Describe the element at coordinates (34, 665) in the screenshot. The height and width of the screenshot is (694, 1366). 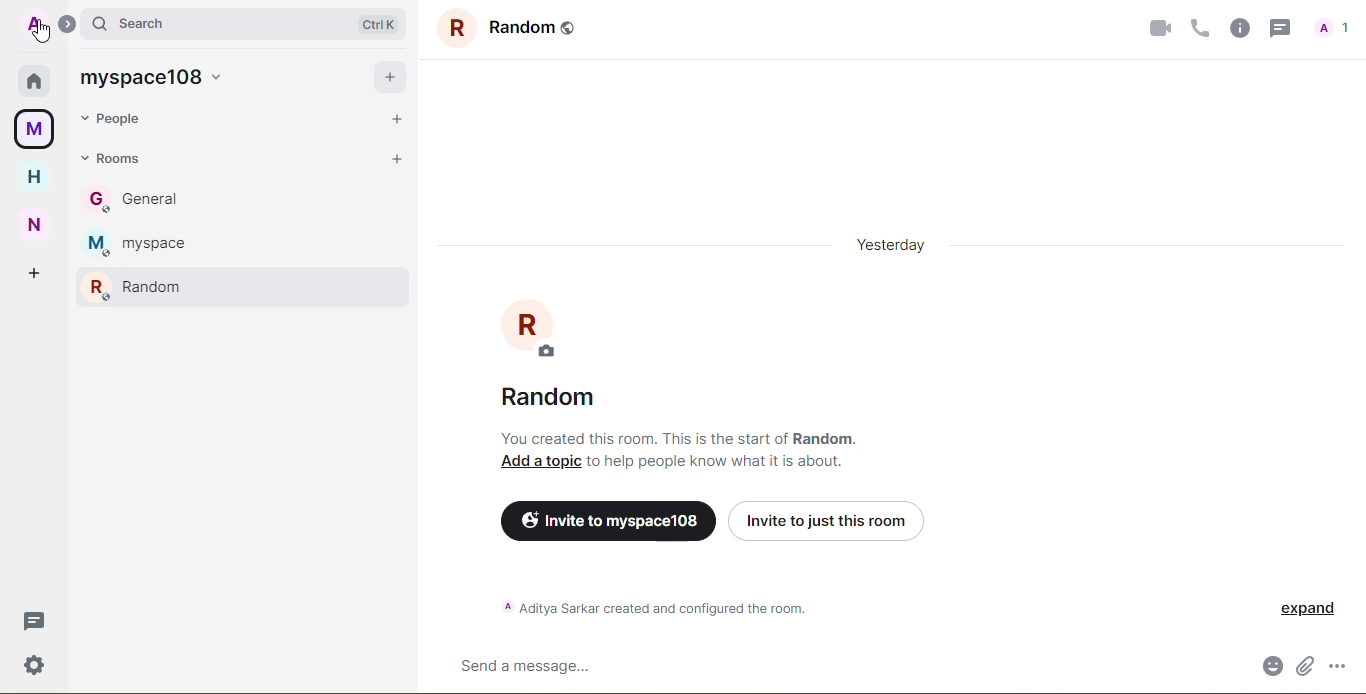
I see `settigs` at that location.